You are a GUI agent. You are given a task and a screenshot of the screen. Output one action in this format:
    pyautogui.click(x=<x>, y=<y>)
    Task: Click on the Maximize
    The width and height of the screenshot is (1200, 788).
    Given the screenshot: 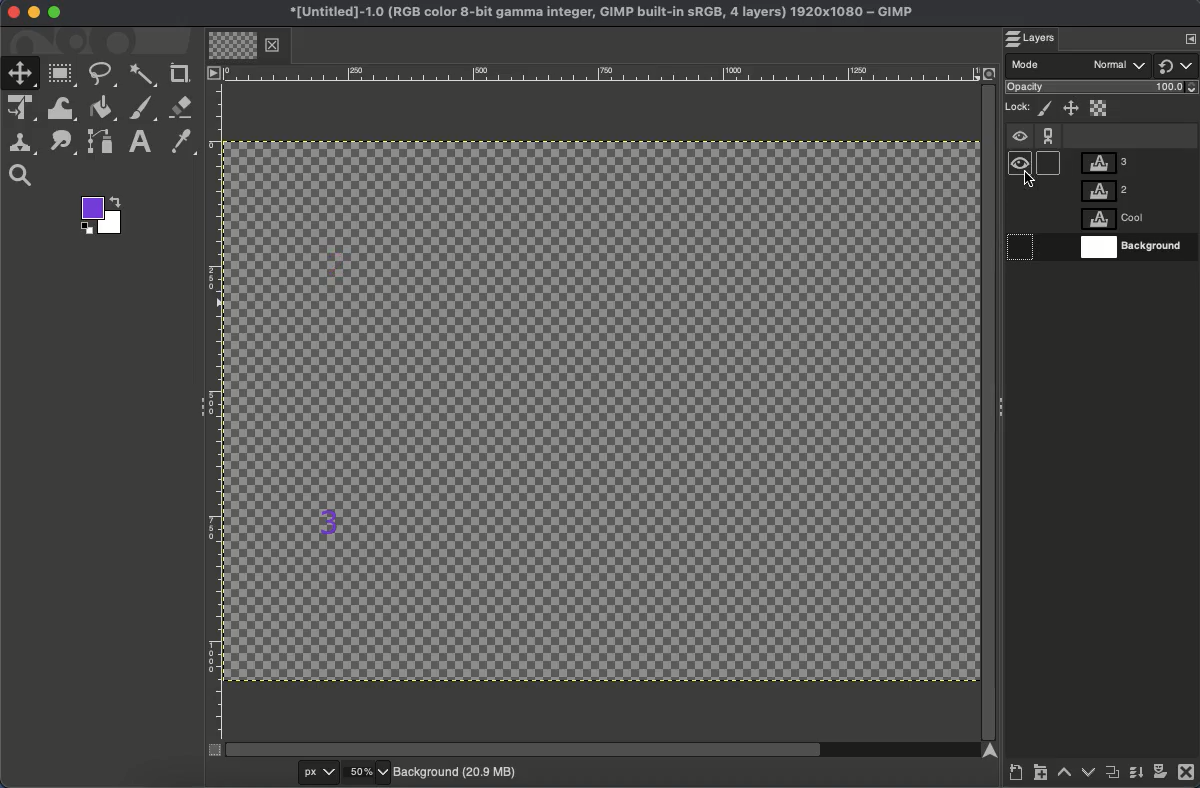 What is the action you would take?
    pyautogui.click(x=55, y=15)
    